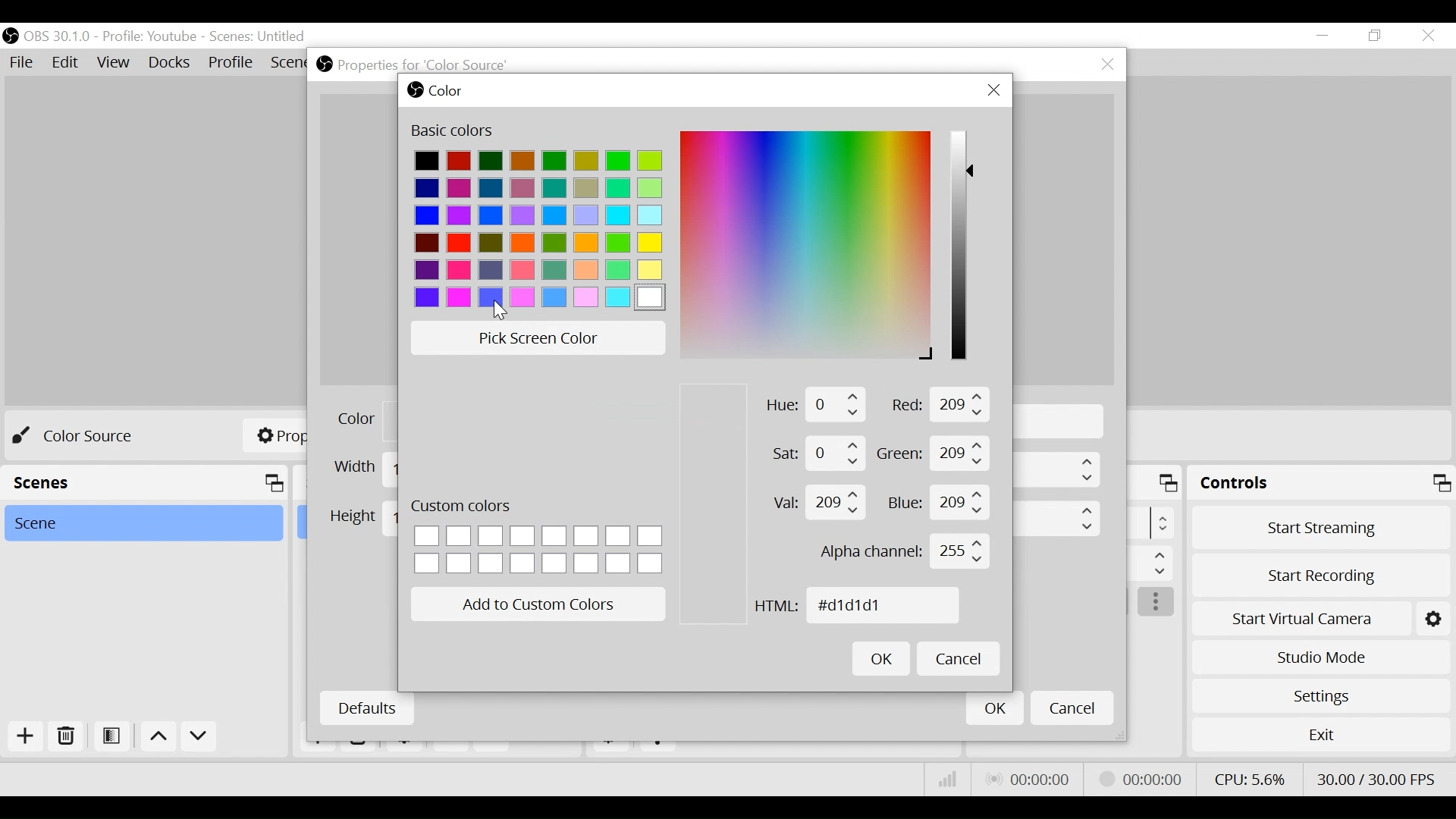  I want to click on Cancel, so click(959, 659).